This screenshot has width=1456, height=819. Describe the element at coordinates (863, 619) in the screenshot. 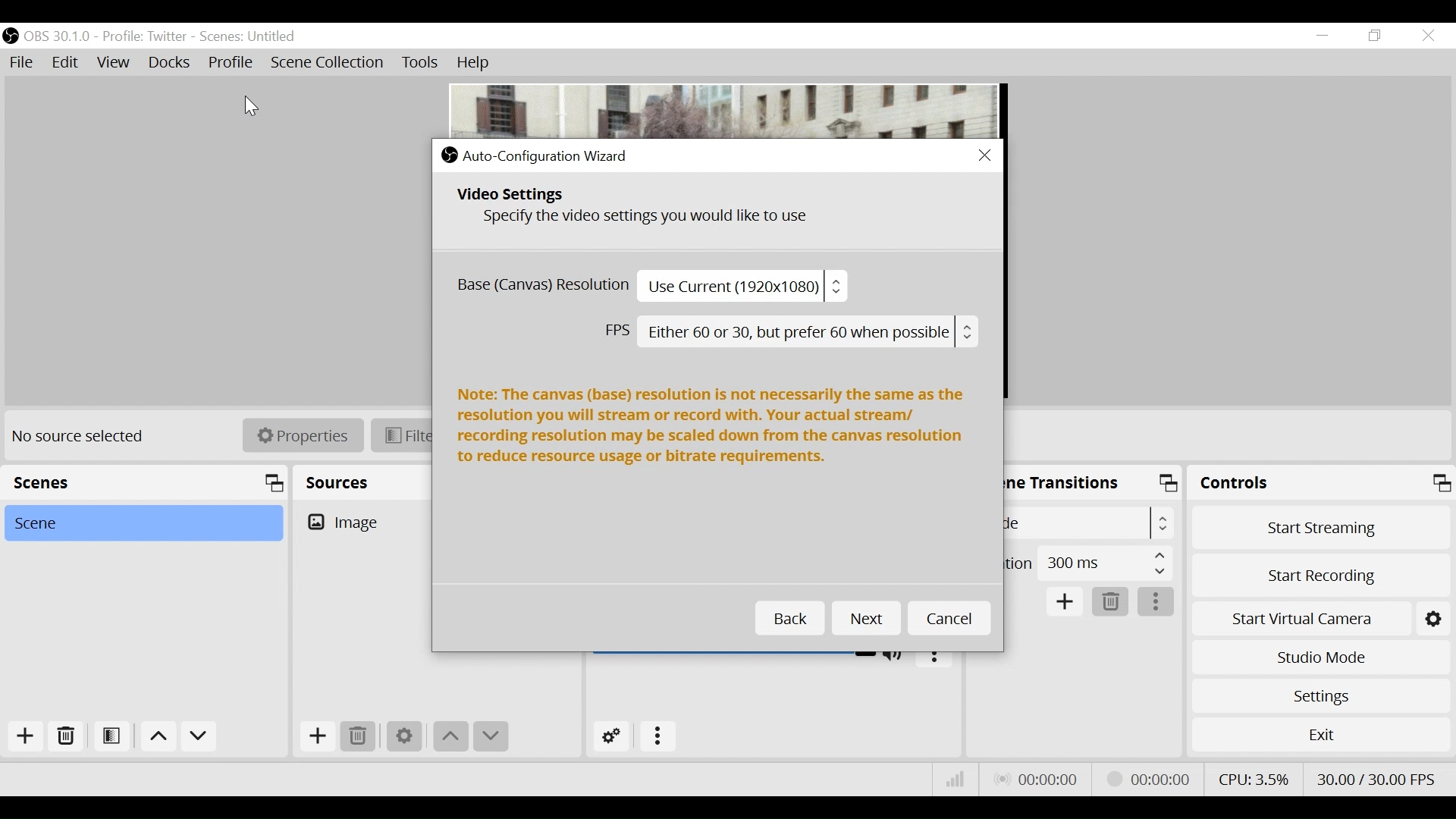

I see `Next ` at that location.